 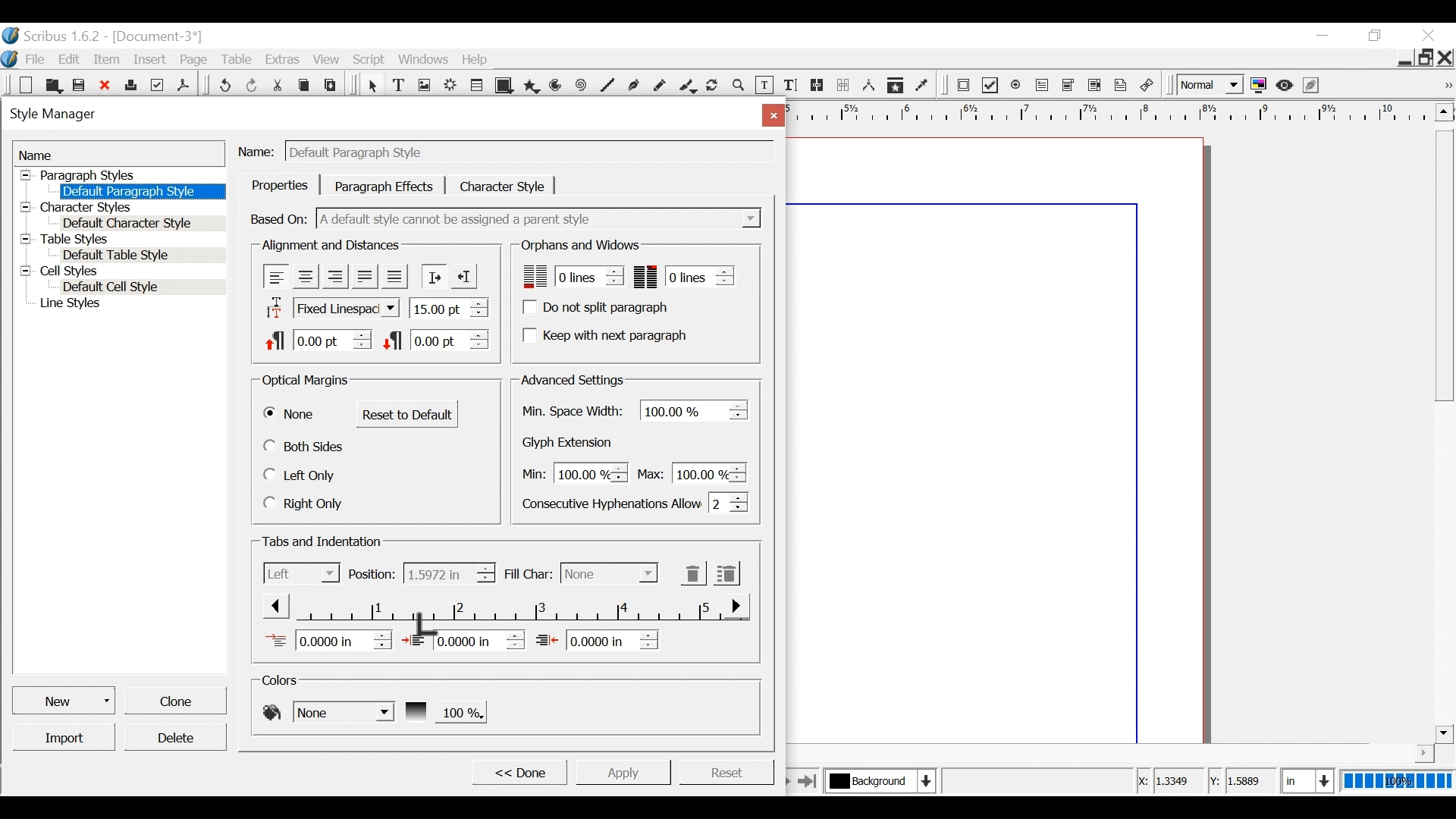 I want to click on Ensure that the first line of the paragraph wont end up seperated, so click(x=570, y=276).